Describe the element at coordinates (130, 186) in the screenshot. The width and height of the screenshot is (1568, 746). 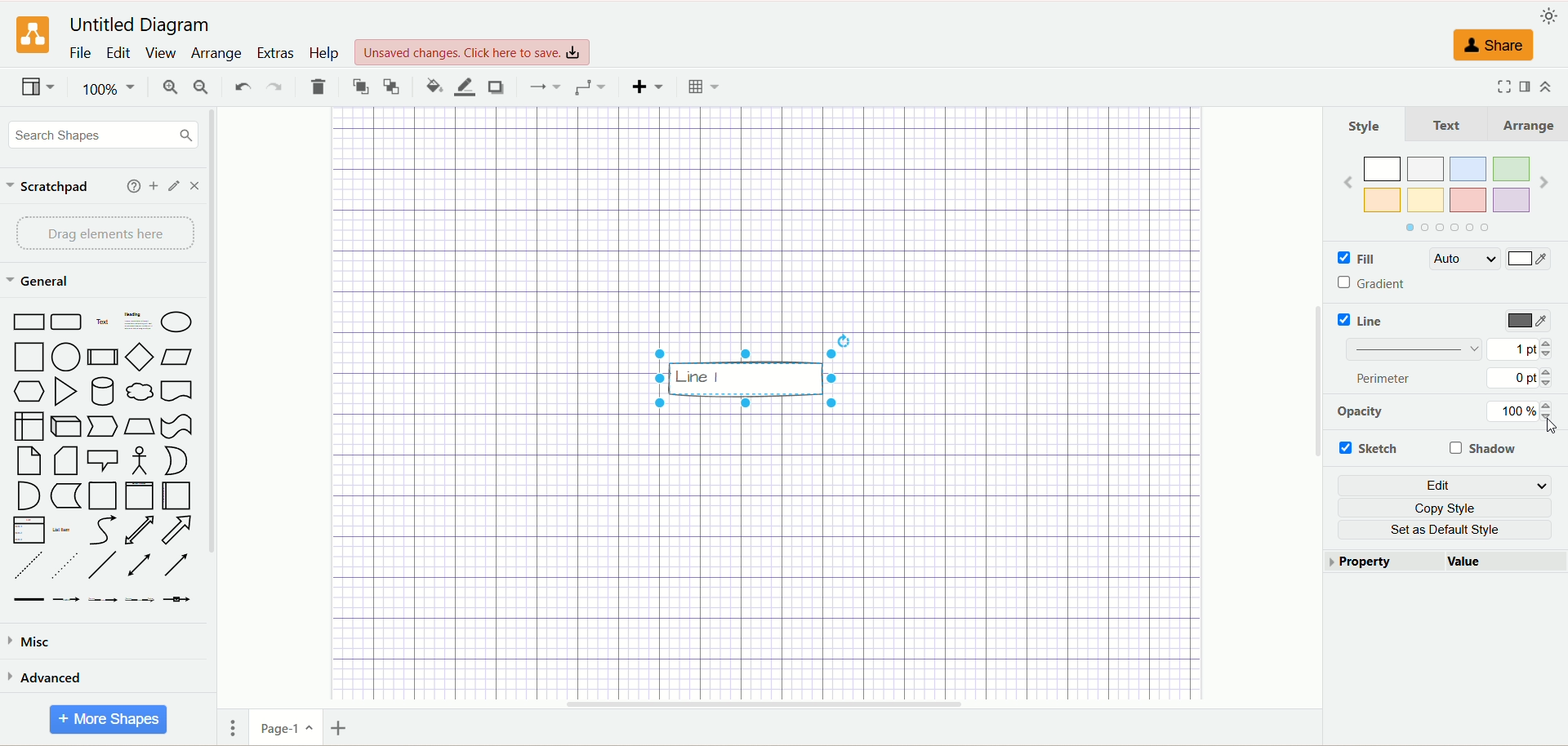
I see `add` at that location.